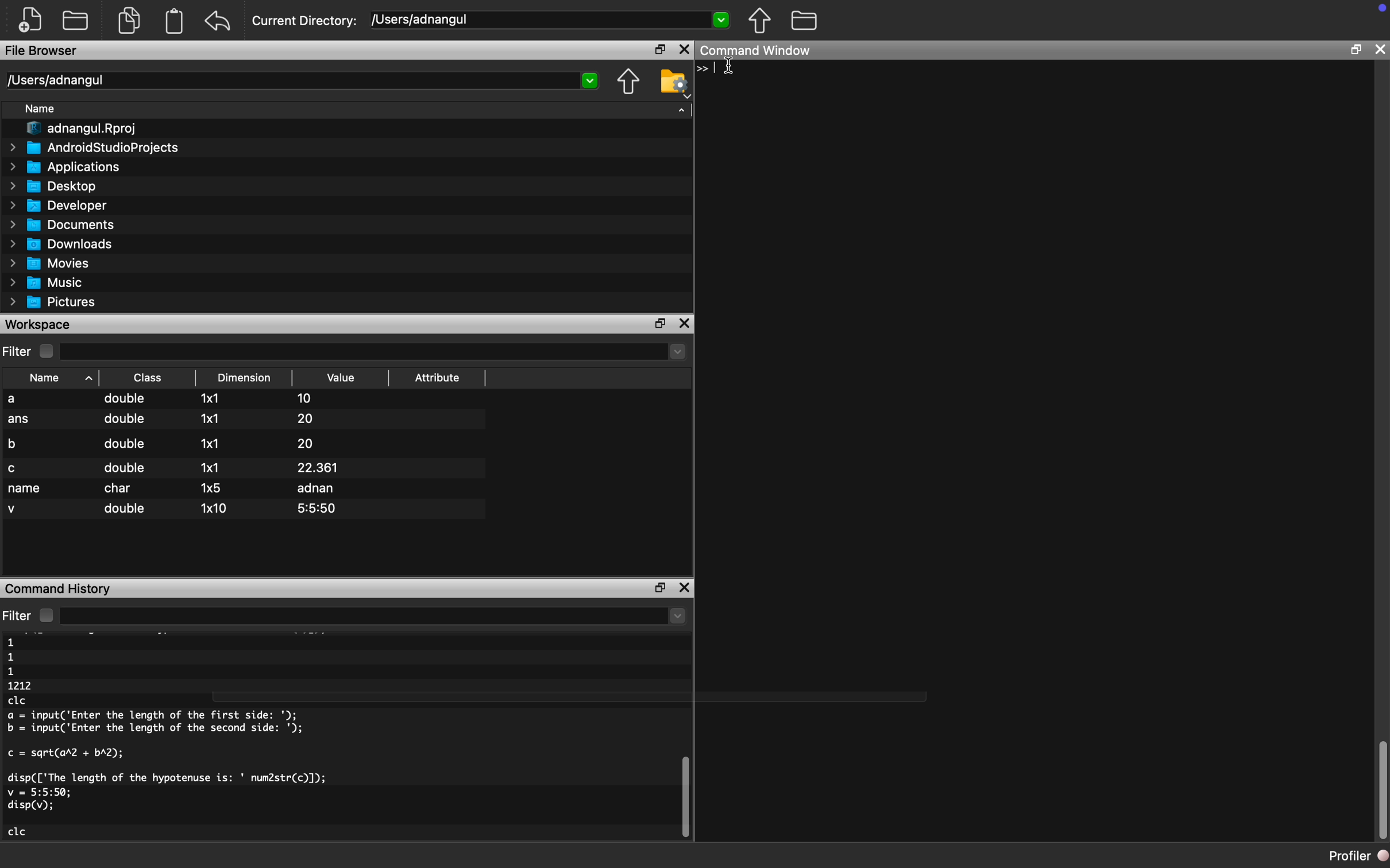 The height and width of the screenshot is (868, 1390). What do you see at coordinates (318, 509) in the screenshot?
I see `5:5:50` at bounding box center [318, 509].